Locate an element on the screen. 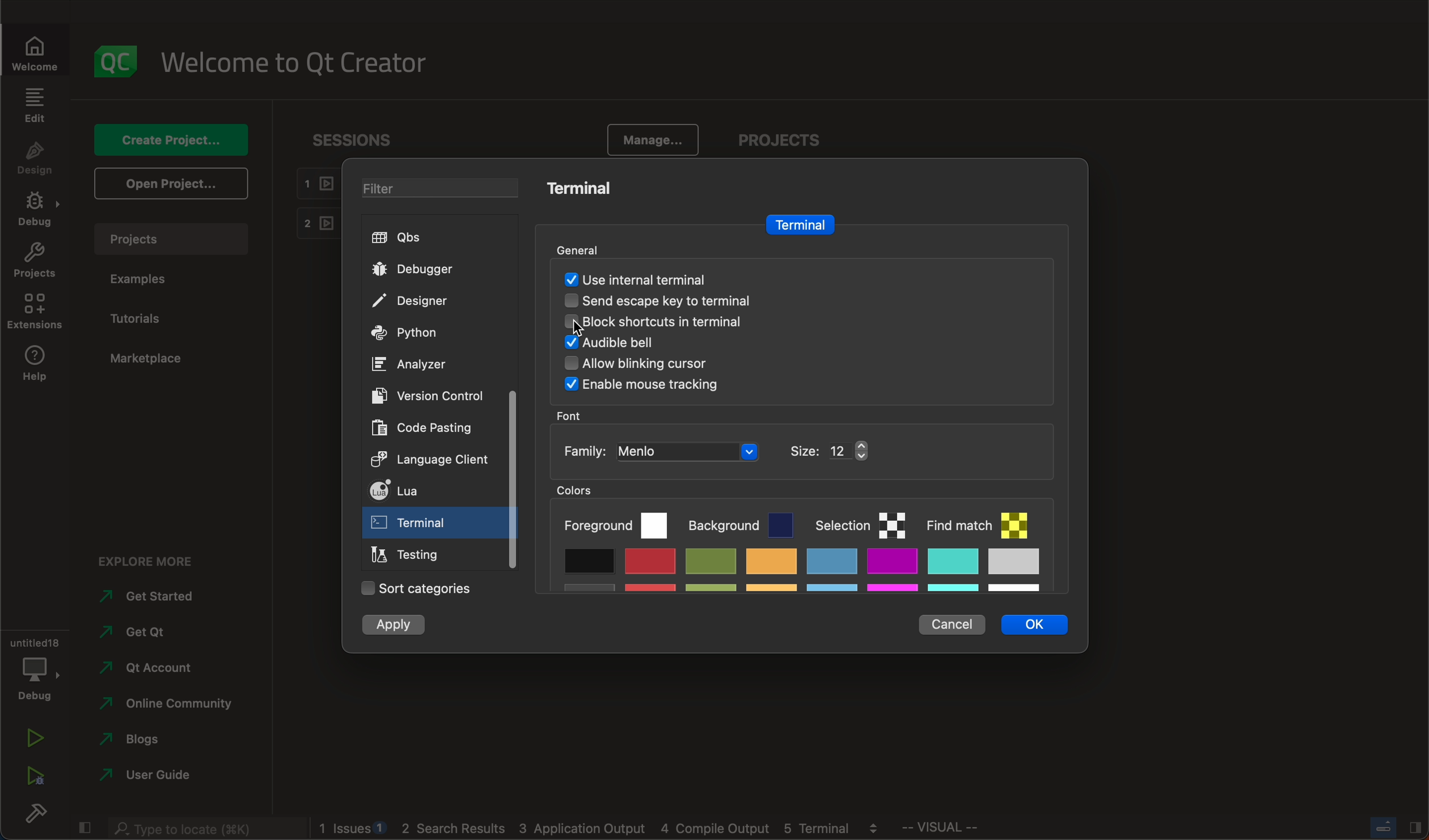  audio is located at coordinates (637, 345).